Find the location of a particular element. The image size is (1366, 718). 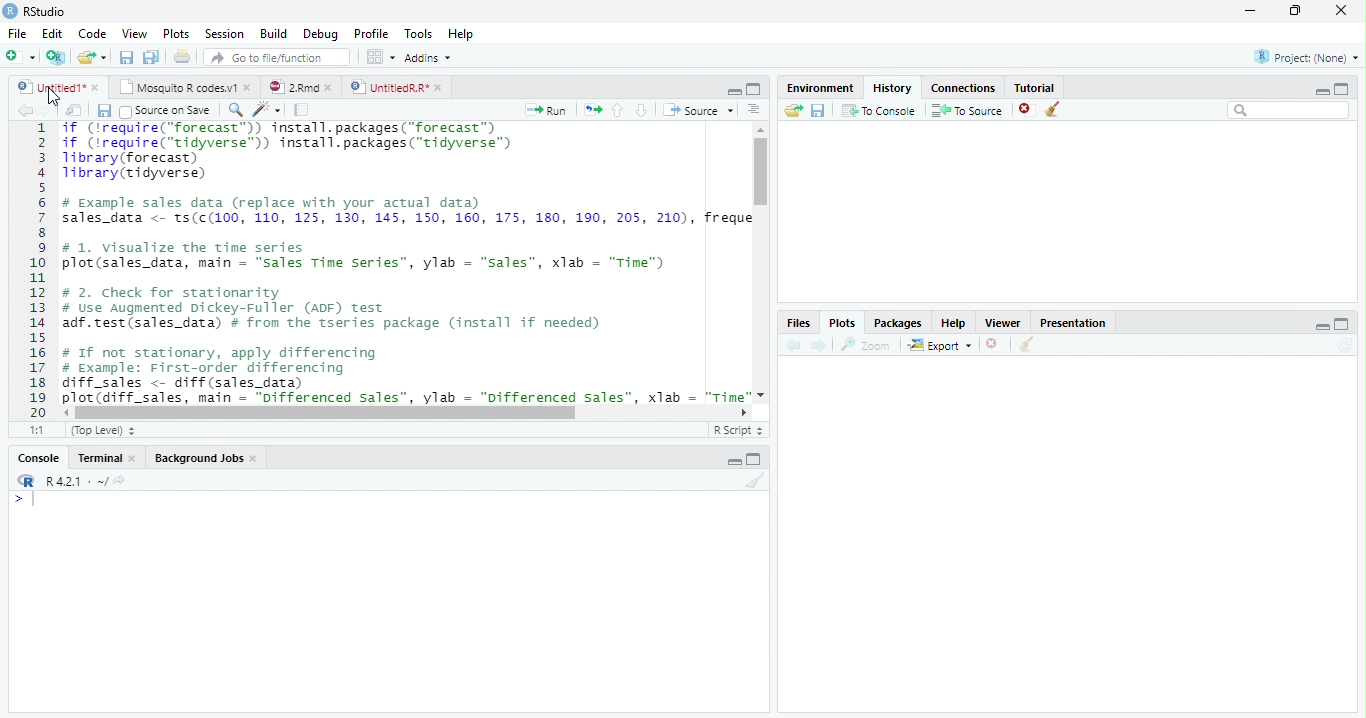

View current directory is located at coordinates (121, 481).